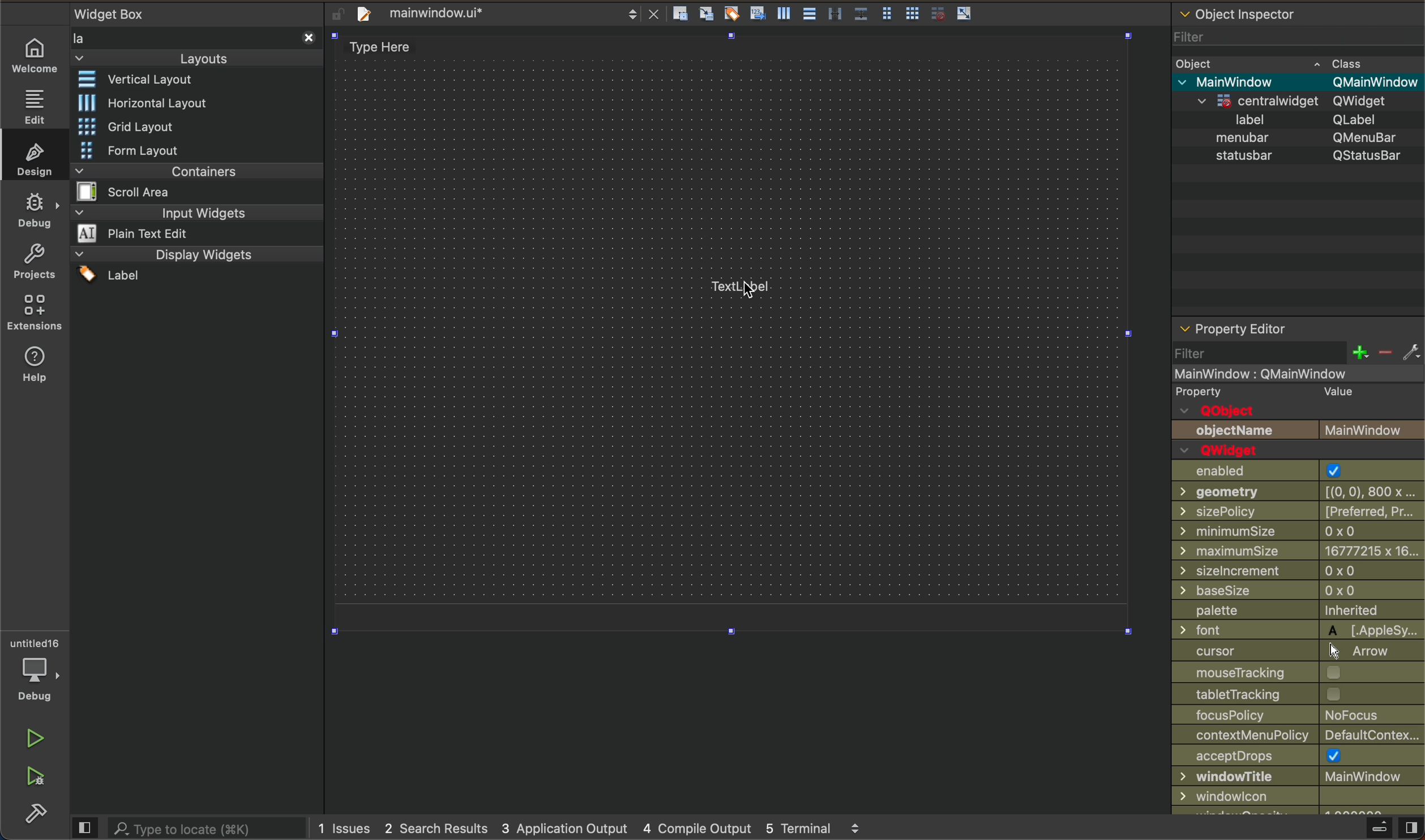 Image resolution: width=1425 pixels, height=840 pixels. What do you see at coordinates (1299, 512) in the screenshot?
I see `size policy` at bounding box center [1299, 512].